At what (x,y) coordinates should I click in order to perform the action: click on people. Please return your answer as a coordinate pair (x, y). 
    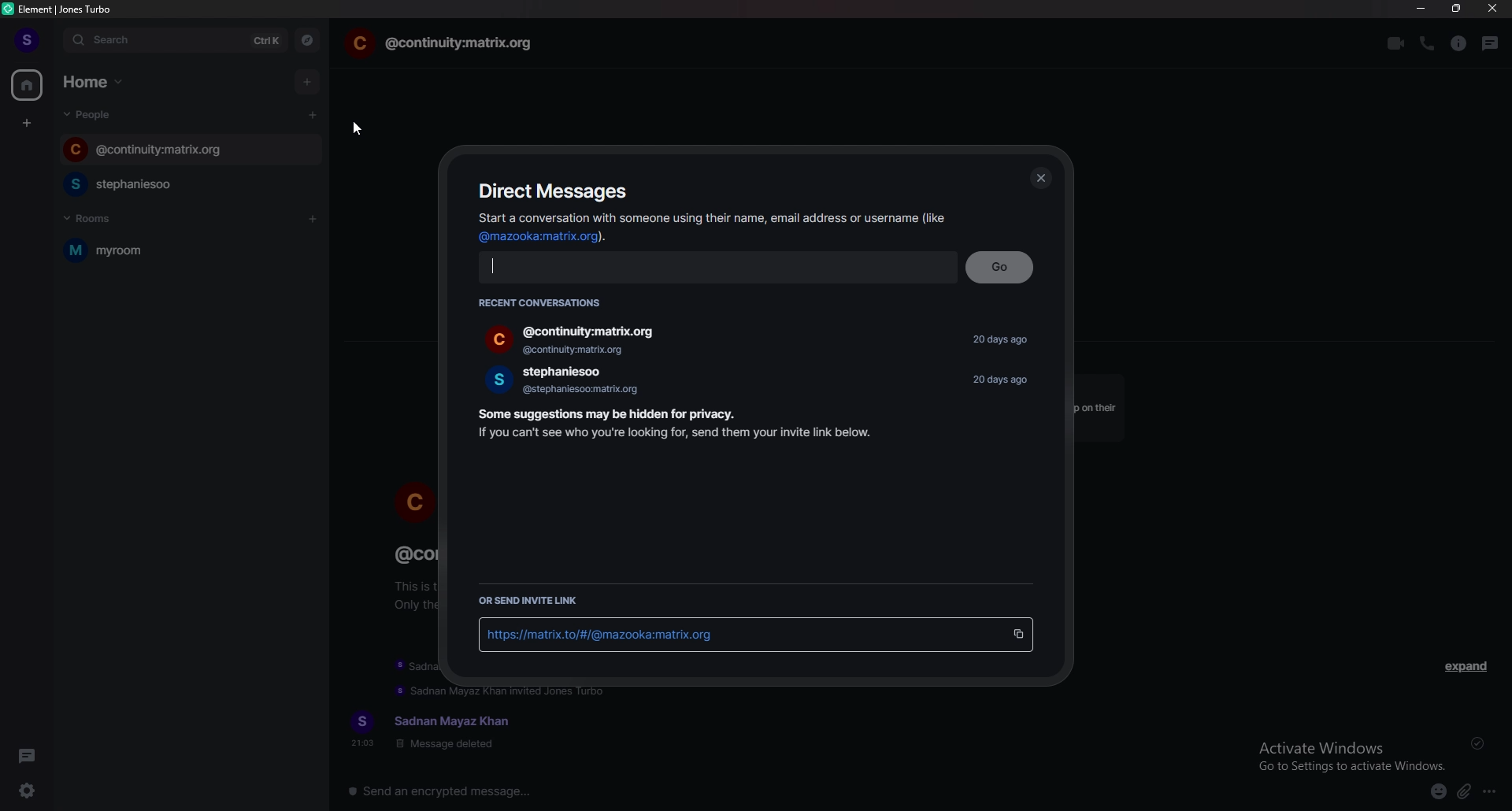
    Looking at the image, I should click on (767, 339).